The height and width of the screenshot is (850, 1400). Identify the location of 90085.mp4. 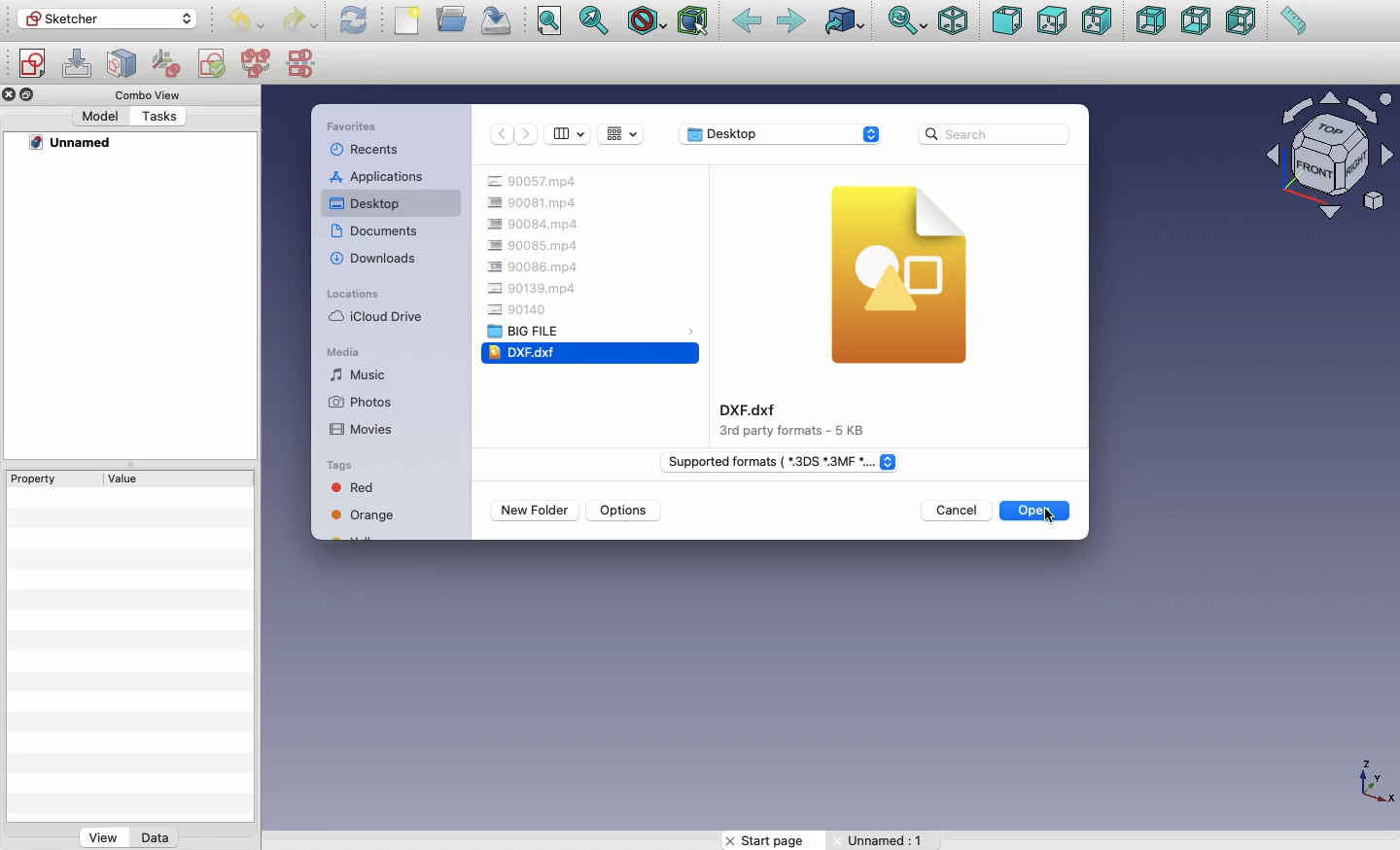
(537, 244).